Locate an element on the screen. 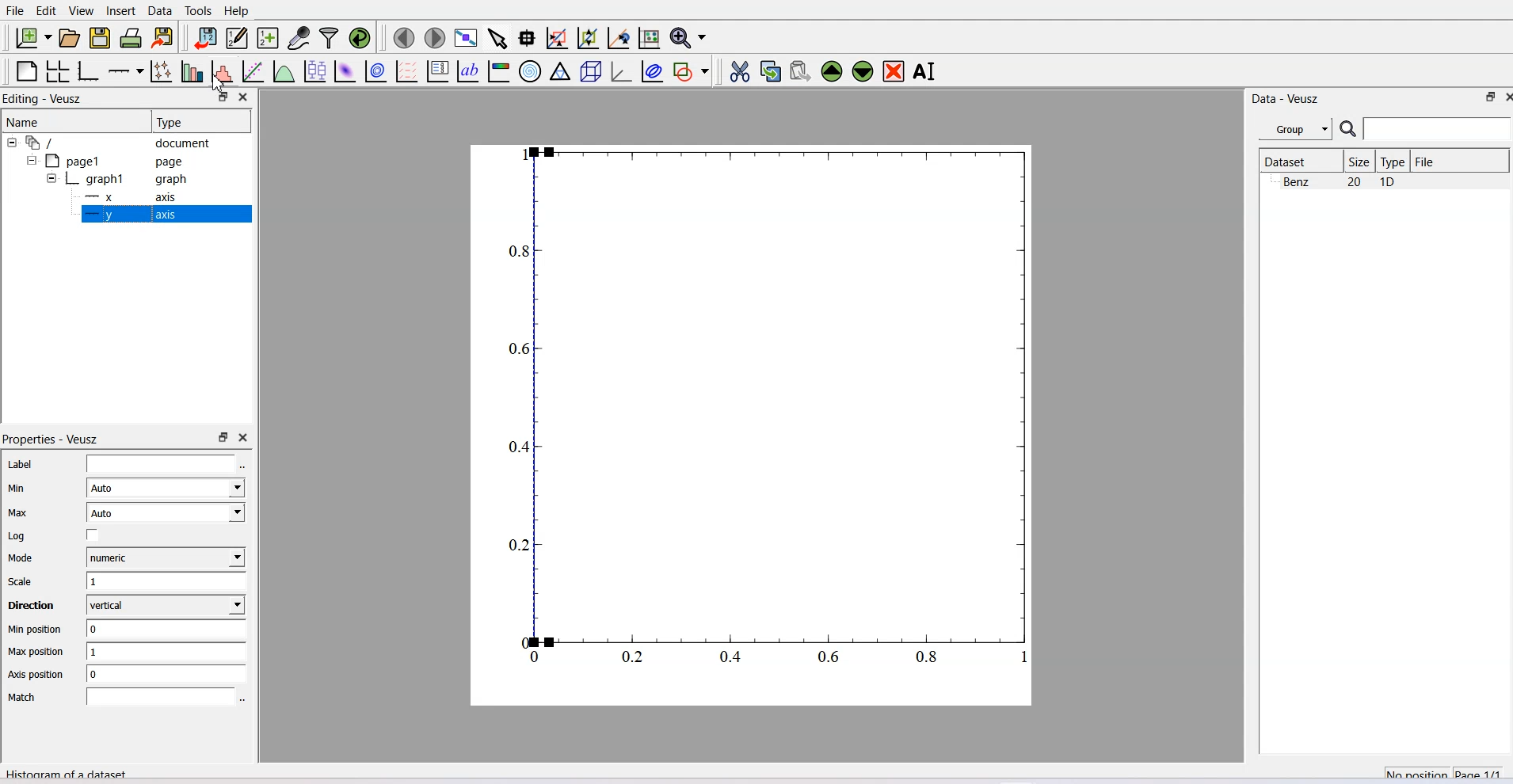 This screenshot has height=784, width=1513. Paste widget from the clipboard is located at coordinates (801, 72).